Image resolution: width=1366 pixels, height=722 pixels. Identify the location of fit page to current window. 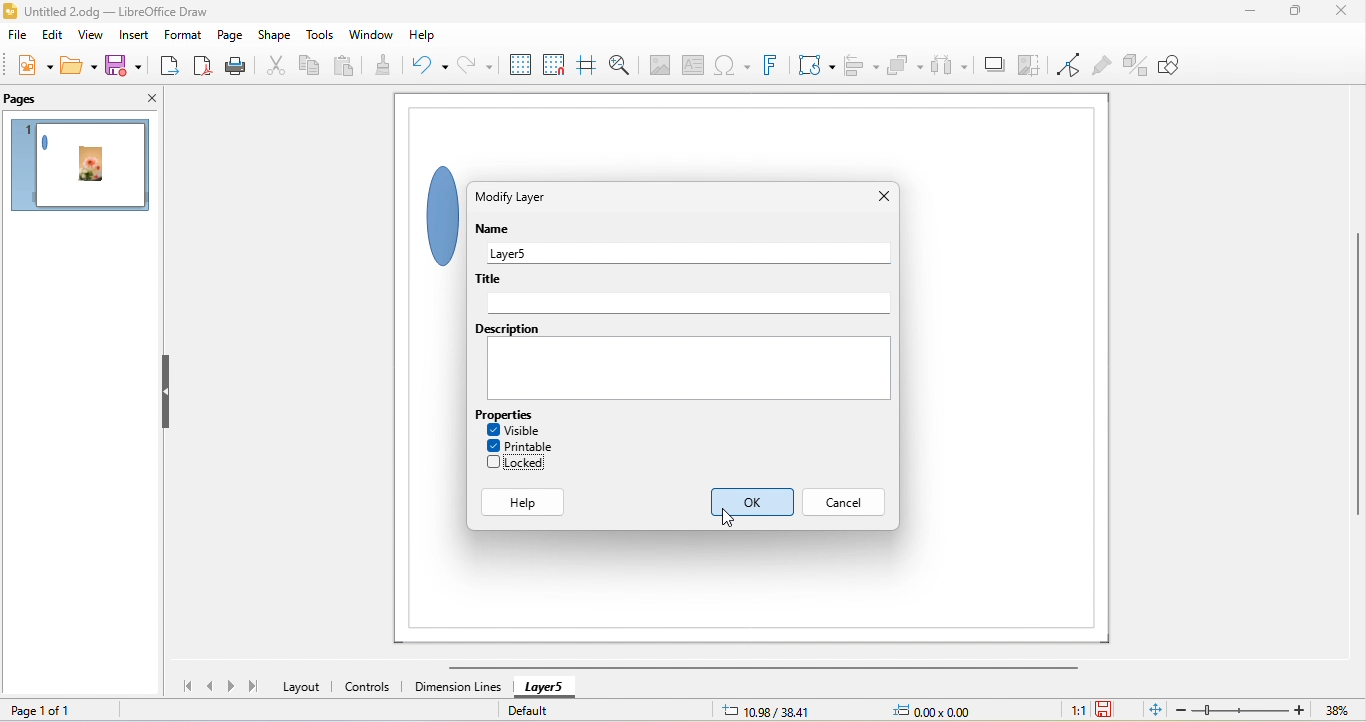
(1153, 709).